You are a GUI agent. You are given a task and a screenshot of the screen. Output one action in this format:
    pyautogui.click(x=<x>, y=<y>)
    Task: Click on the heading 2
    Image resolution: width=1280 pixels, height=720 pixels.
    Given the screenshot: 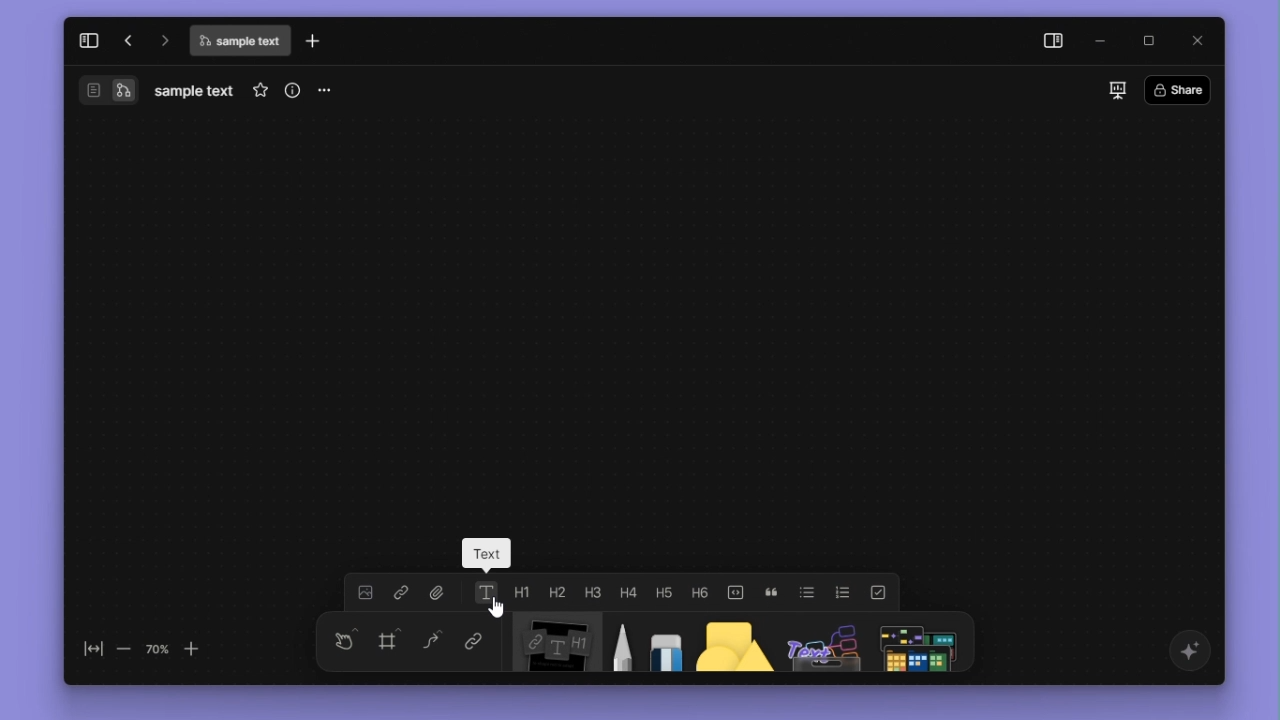 What is the action you would take?
    pyautogui.click(x=555, y=592)
    